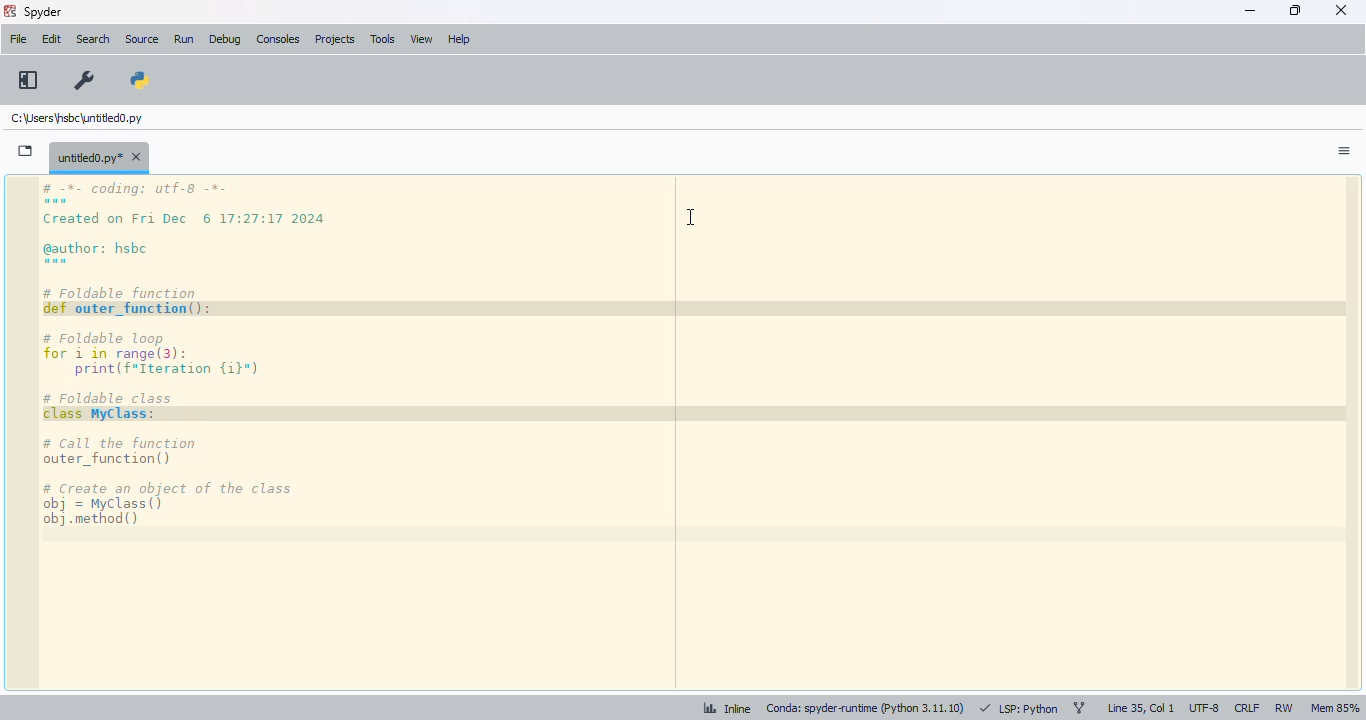  What do you see at coordinates (1284, 709) in the screenshot?
I see `RW` at bounding box center [1284, 709].